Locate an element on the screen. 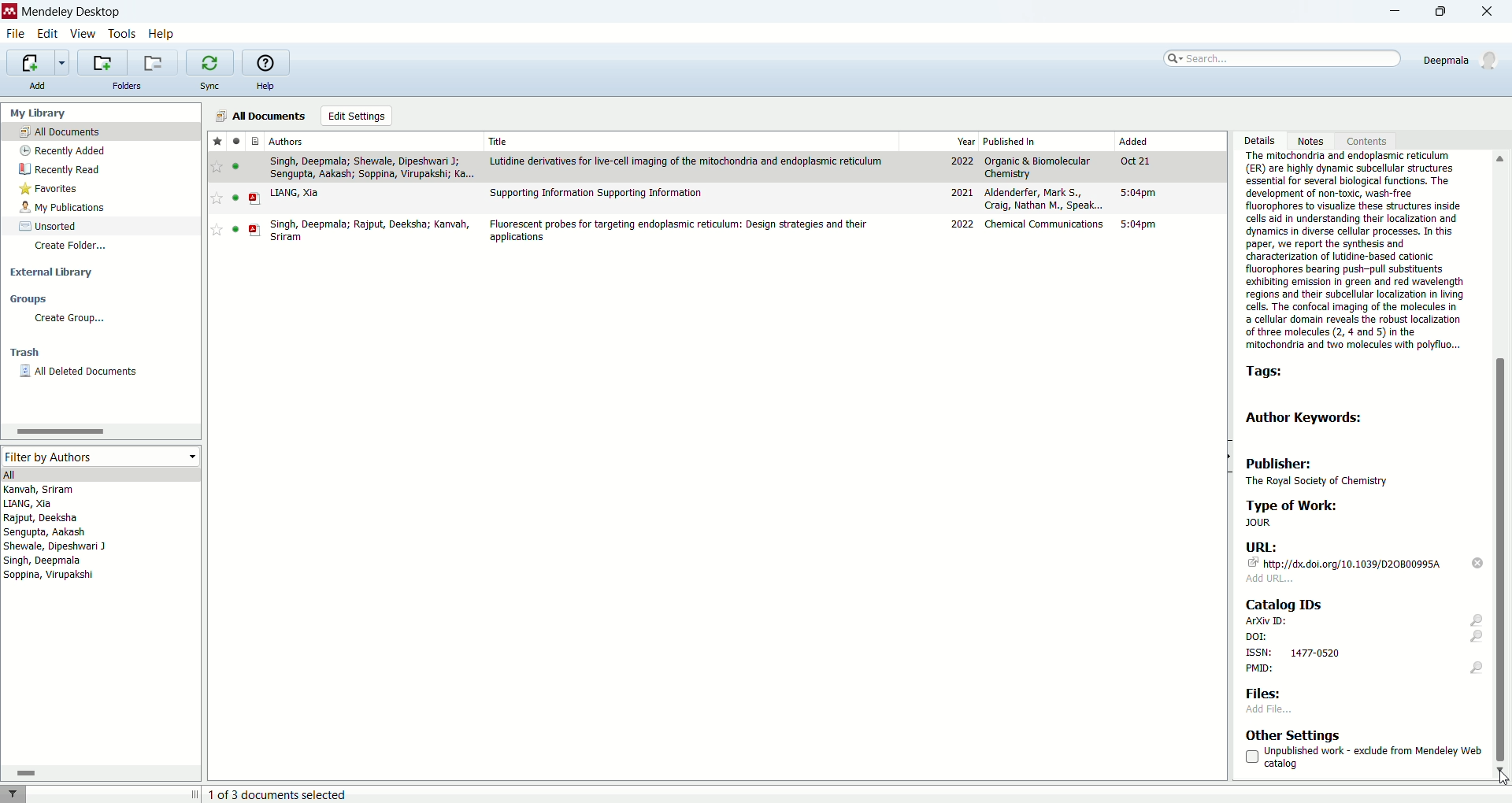 The height and width of the screenshot is (803, 1512). Oct 21 is located at coordinates (1134, 161).